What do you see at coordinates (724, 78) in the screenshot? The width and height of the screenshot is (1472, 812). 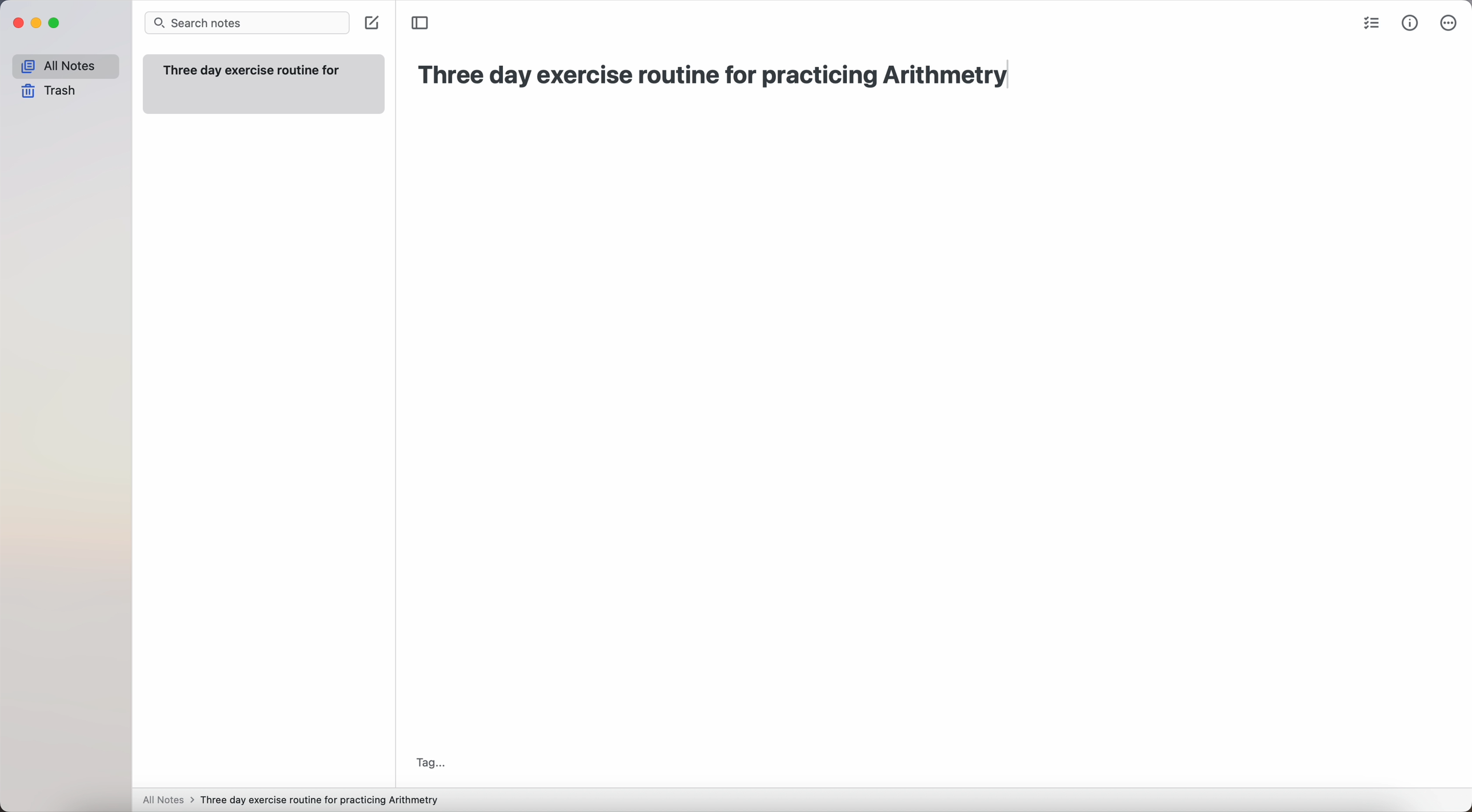 I see `Three day exercise routine for practicing Arithmetry` at bounding box center [724, 78].